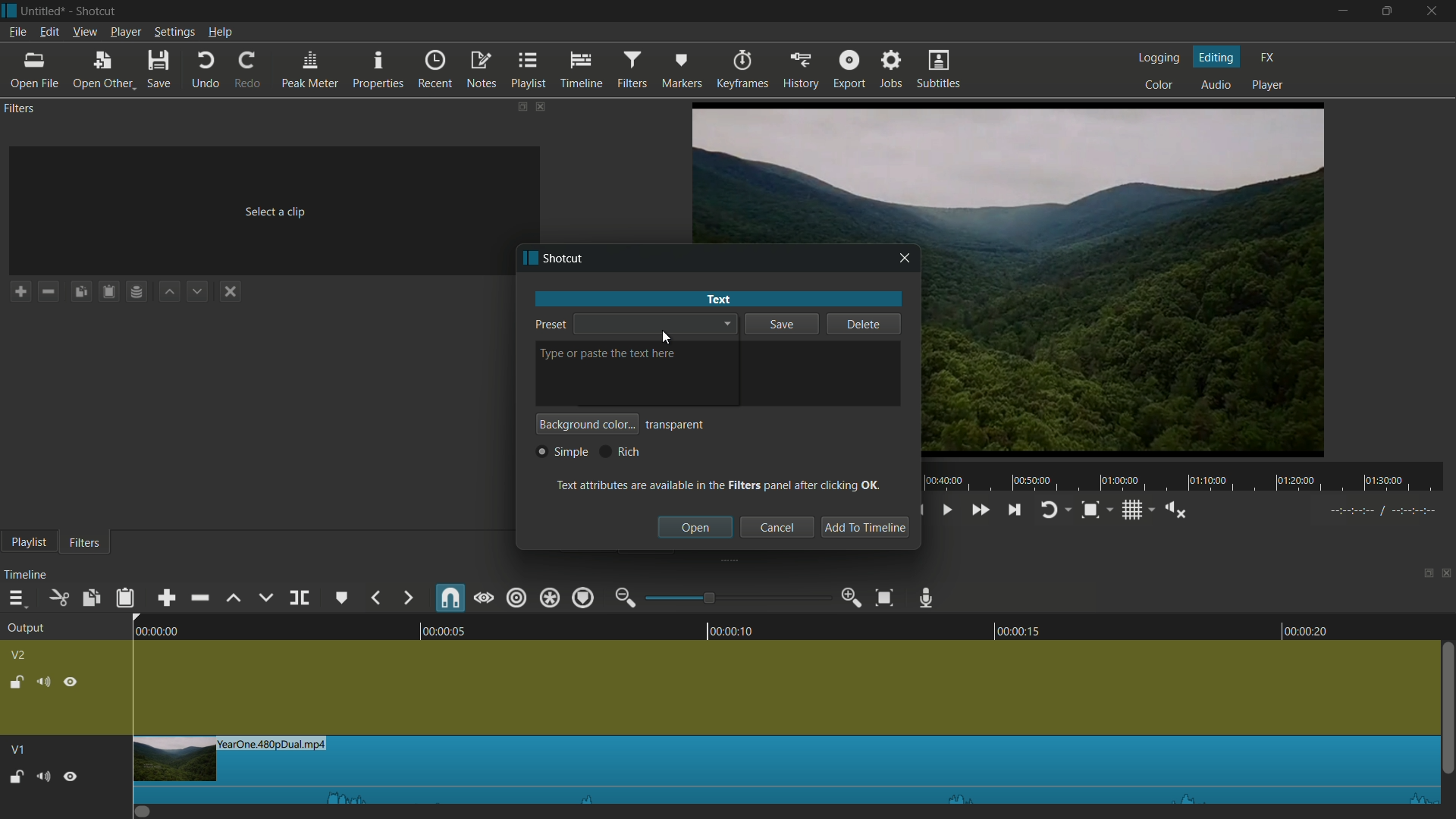  What do you see at coordinates (20, 291) in the screenshot?
I see `add a filter` at bounding box center [20, 291].